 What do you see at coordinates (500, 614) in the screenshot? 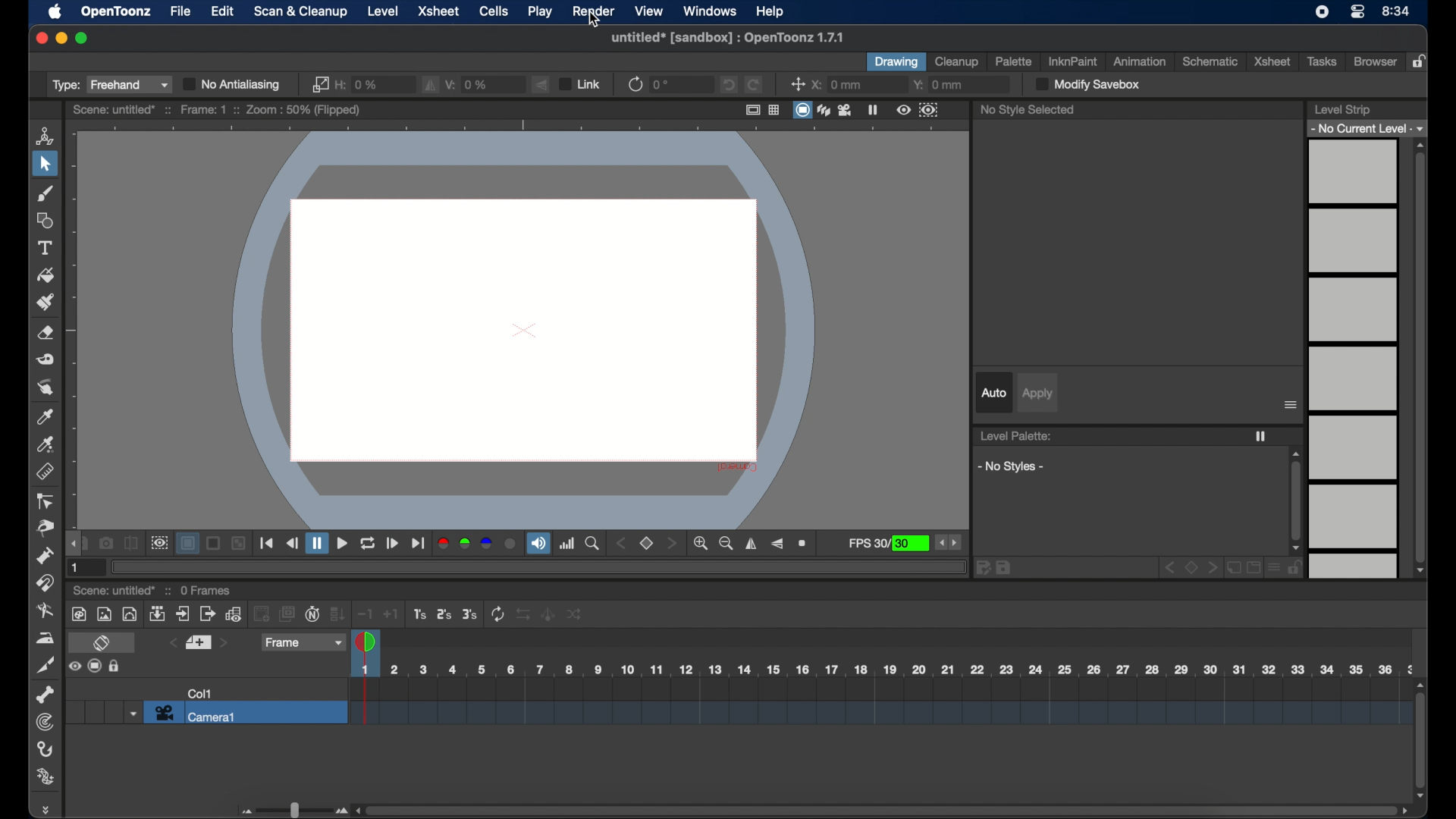
I see `` at bounding box center [500, 614].